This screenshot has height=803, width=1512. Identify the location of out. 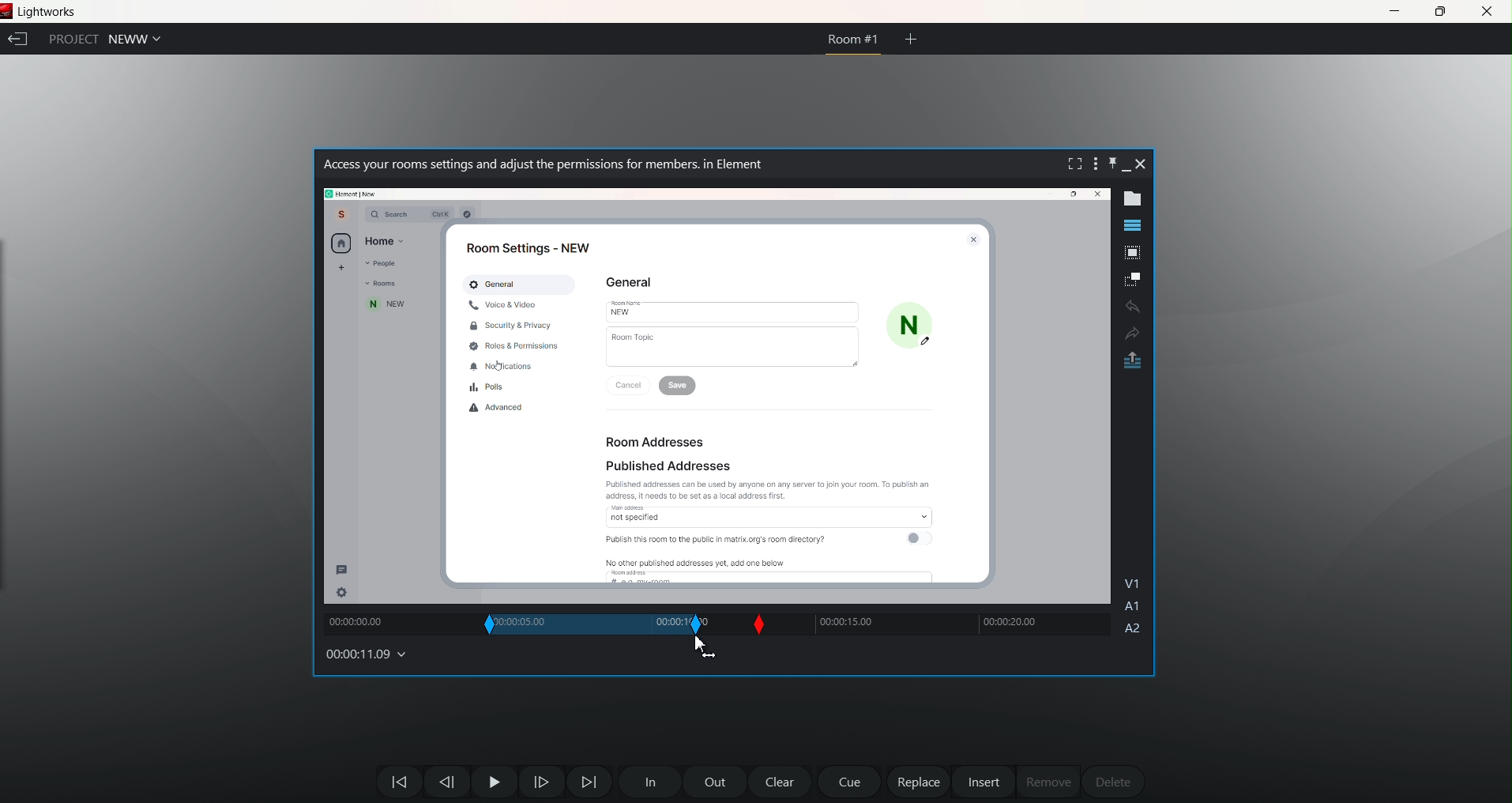
(715, 780).